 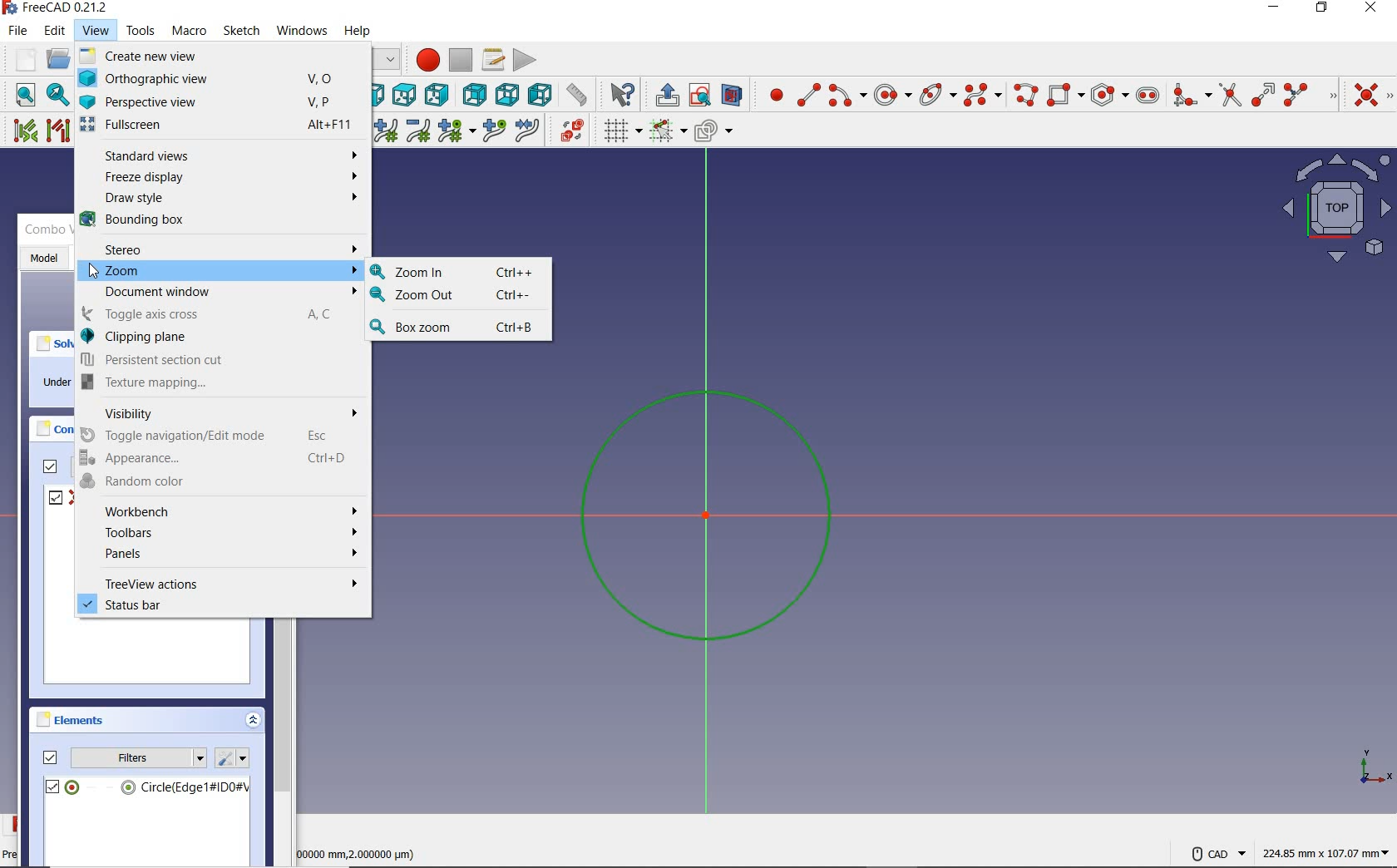 What do you see at coordinates (124, 757) in the screenshot?
I see `filters` at bounding box center [124, 757].